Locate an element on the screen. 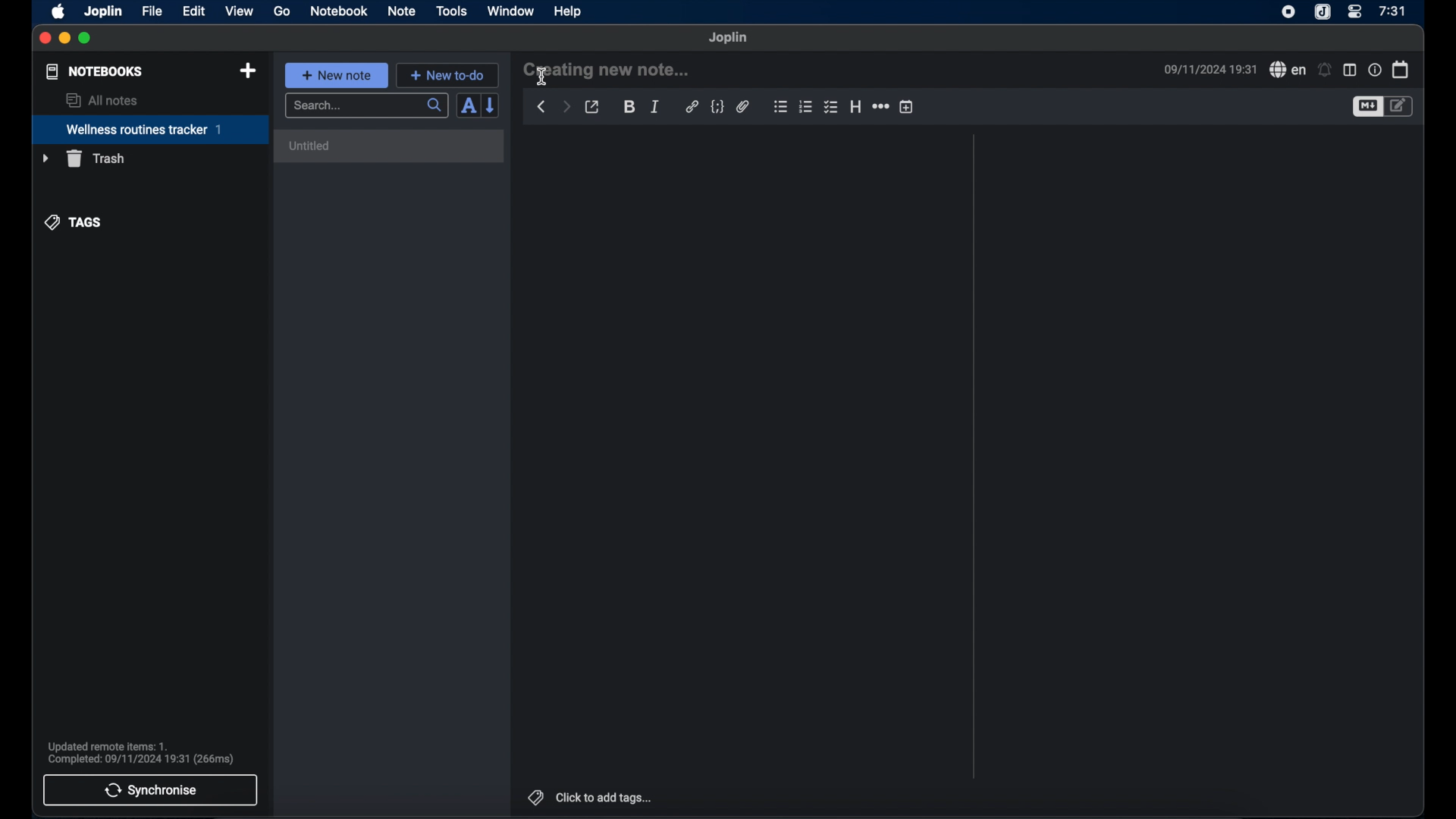 The height and width of the screenshot is (819, 1456). italic is located at coordinates (655, 107).